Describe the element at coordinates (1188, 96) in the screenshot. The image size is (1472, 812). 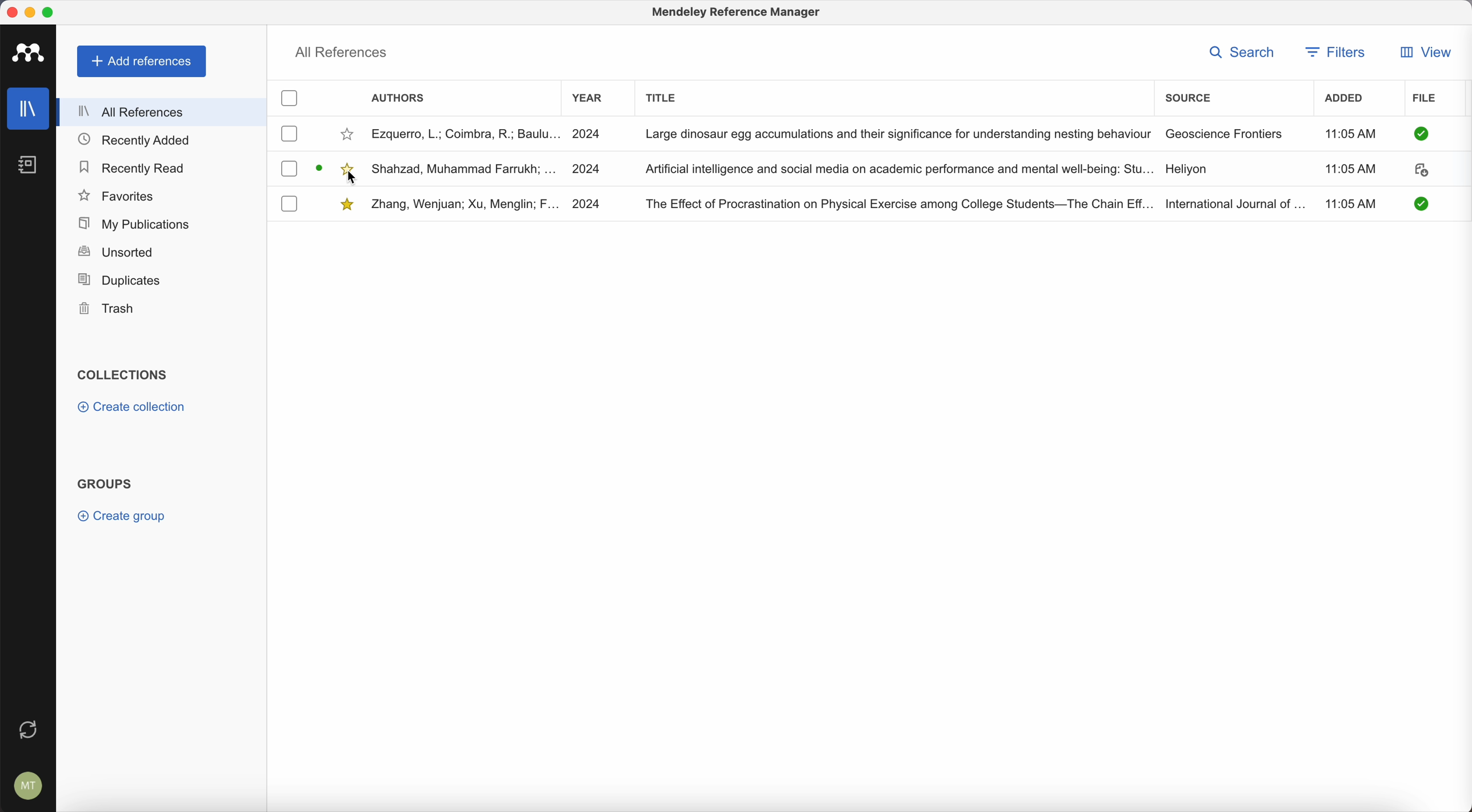
I see `source` at that location.